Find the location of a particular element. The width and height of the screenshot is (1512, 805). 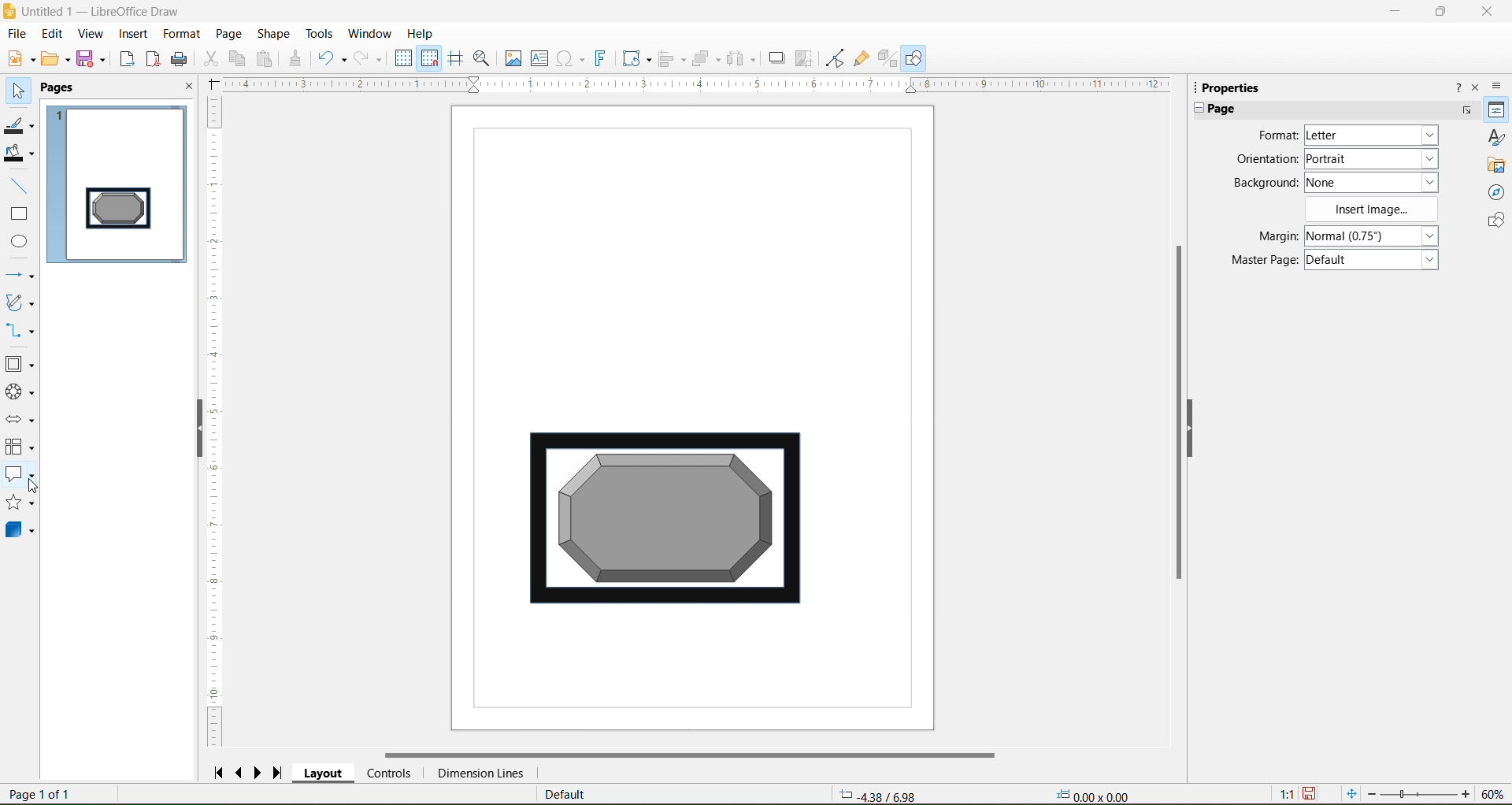

Untitled 1-LibreOffice Draw is located at coordinates (108, 10).